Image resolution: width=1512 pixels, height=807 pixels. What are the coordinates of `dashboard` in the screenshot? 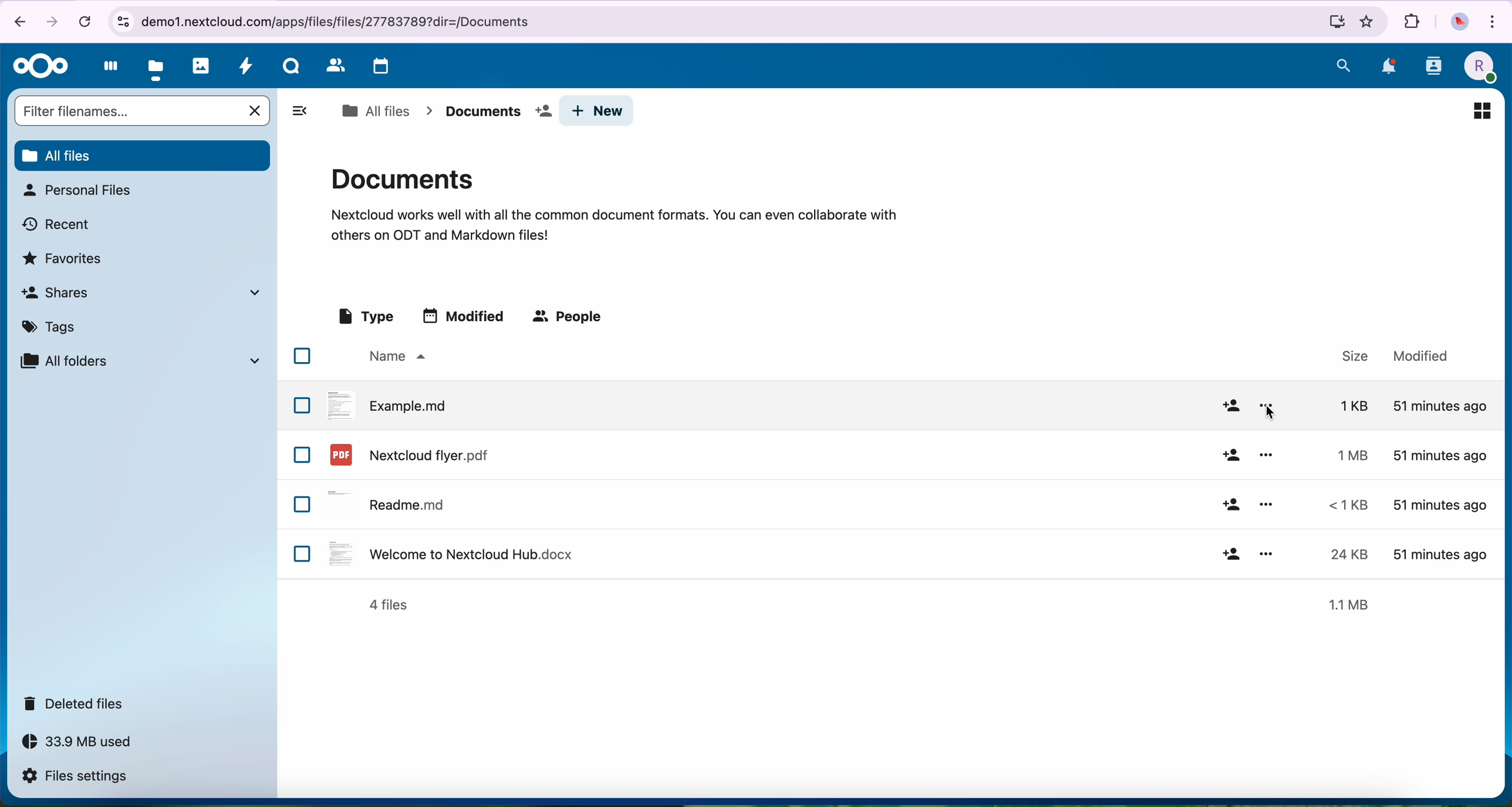 It's located at (107, 69).